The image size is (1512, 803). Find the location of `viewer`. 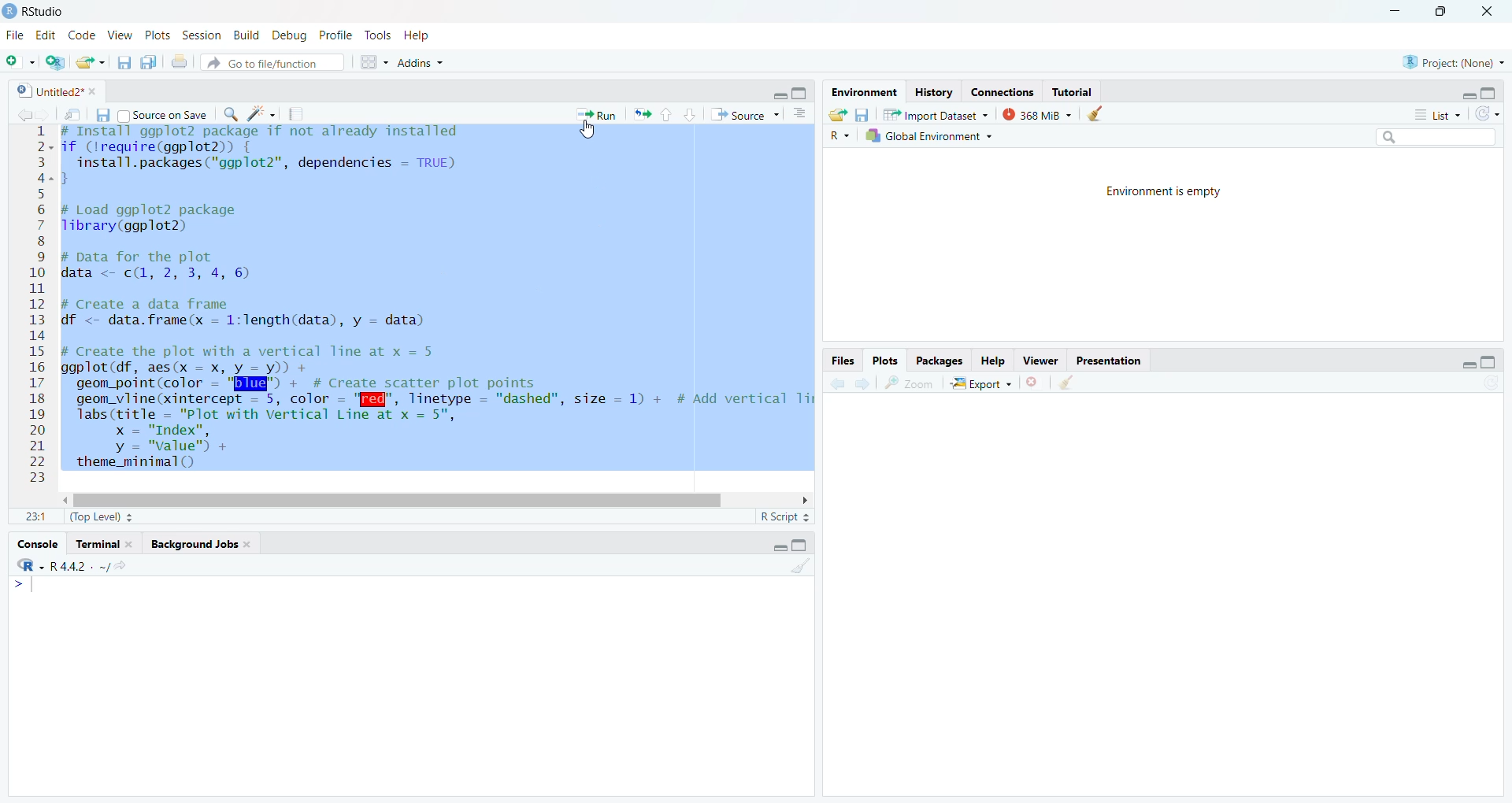

viewer is located at coordinates (1042, 361).